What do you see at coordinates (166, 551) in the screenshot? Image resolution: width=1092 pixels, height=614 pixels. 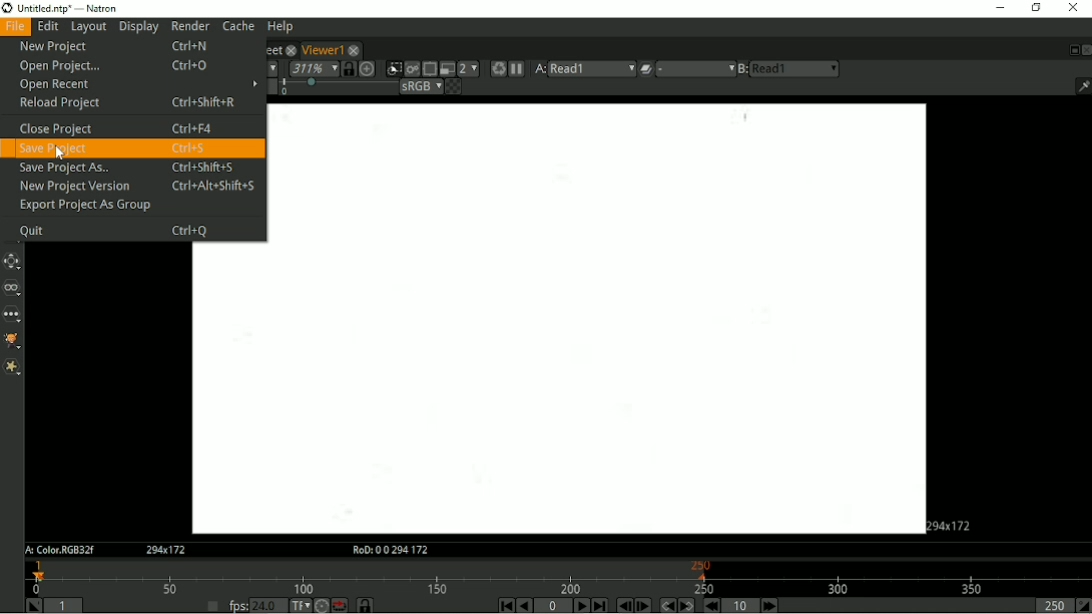 I see `Aspect` at bounding box center [166, 551].